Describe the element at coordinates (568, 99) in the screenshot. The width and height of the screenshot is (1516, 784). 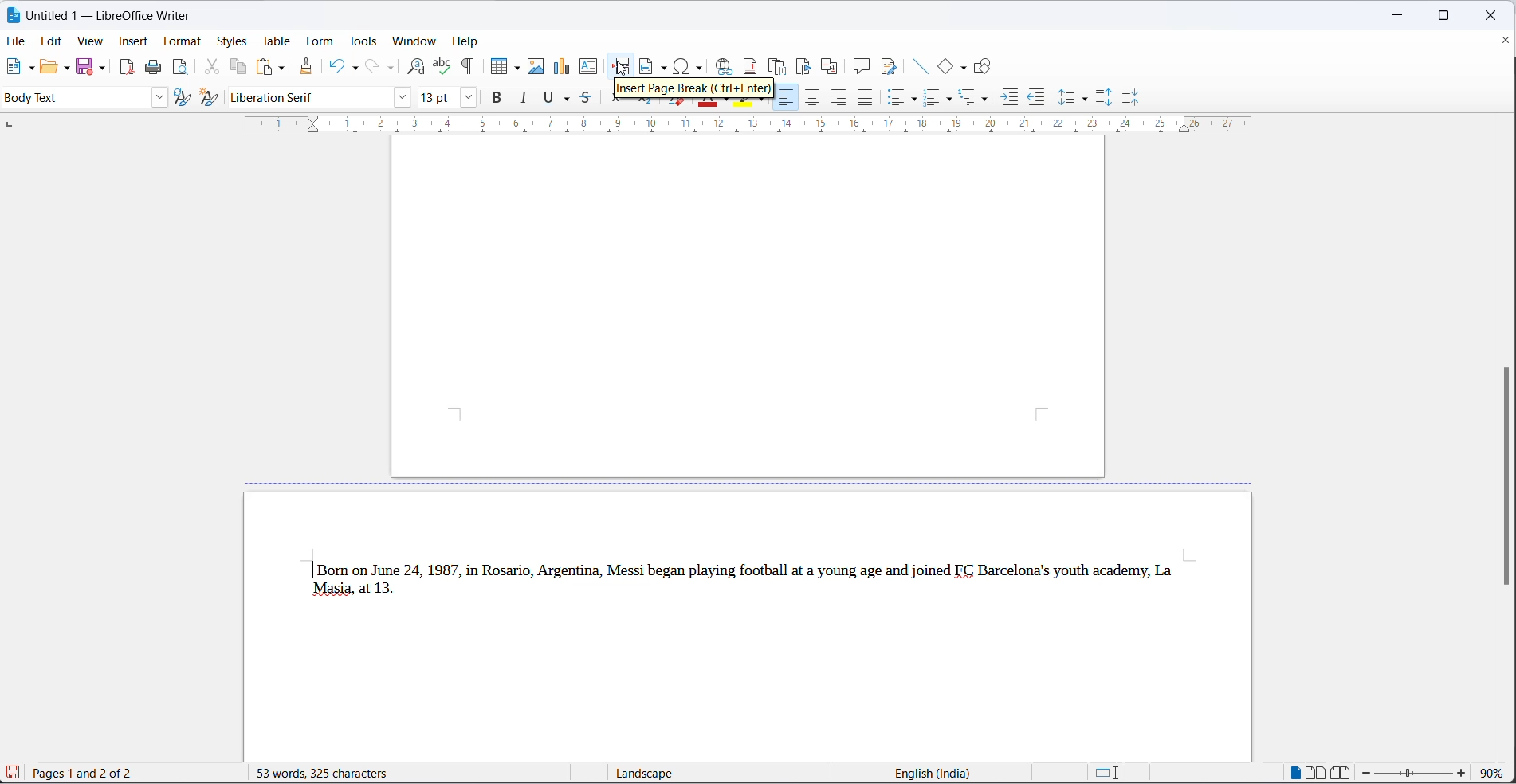
I see `underline` at that location.